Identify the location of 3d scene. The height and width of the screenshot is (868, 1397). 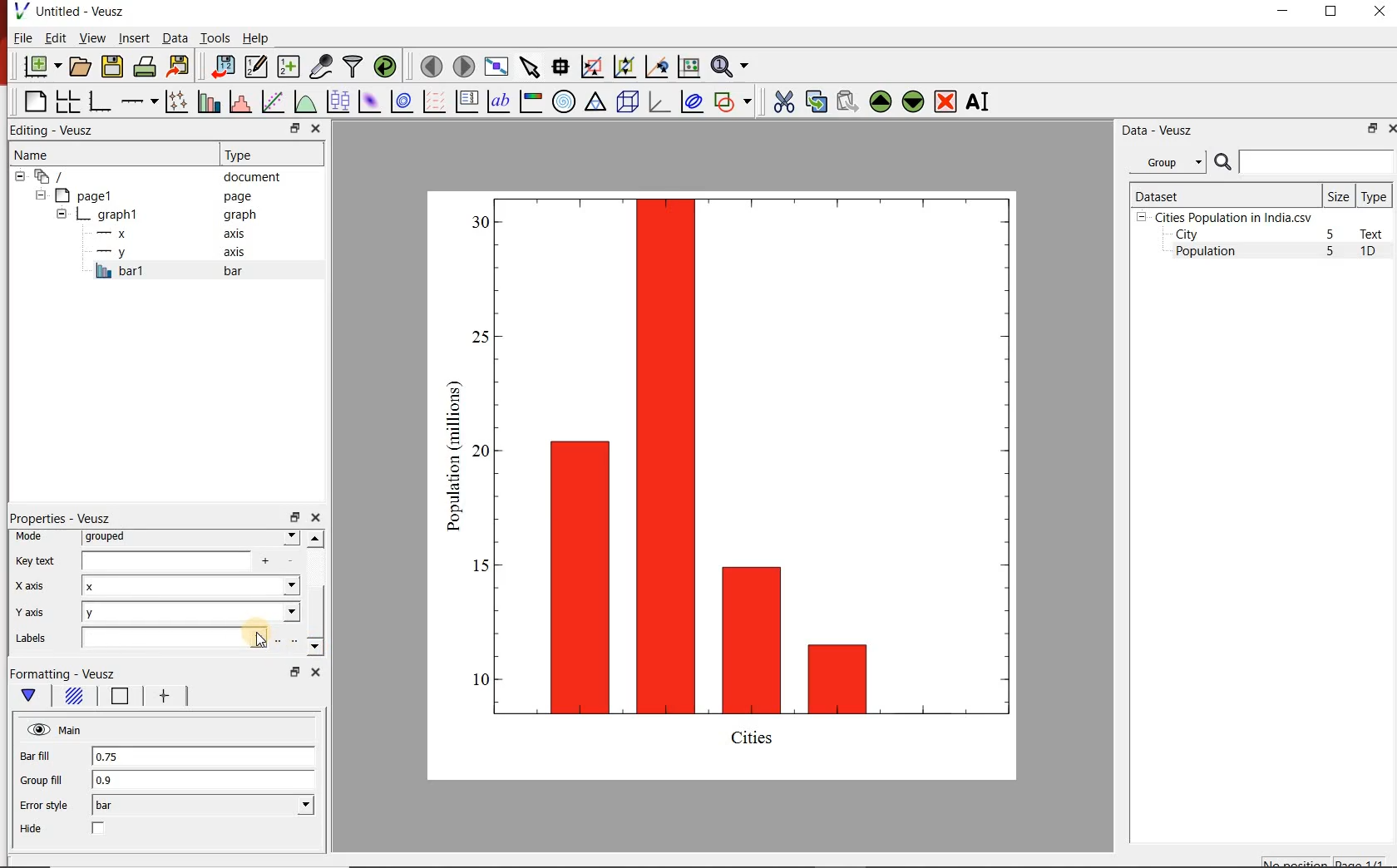
(626, 101).